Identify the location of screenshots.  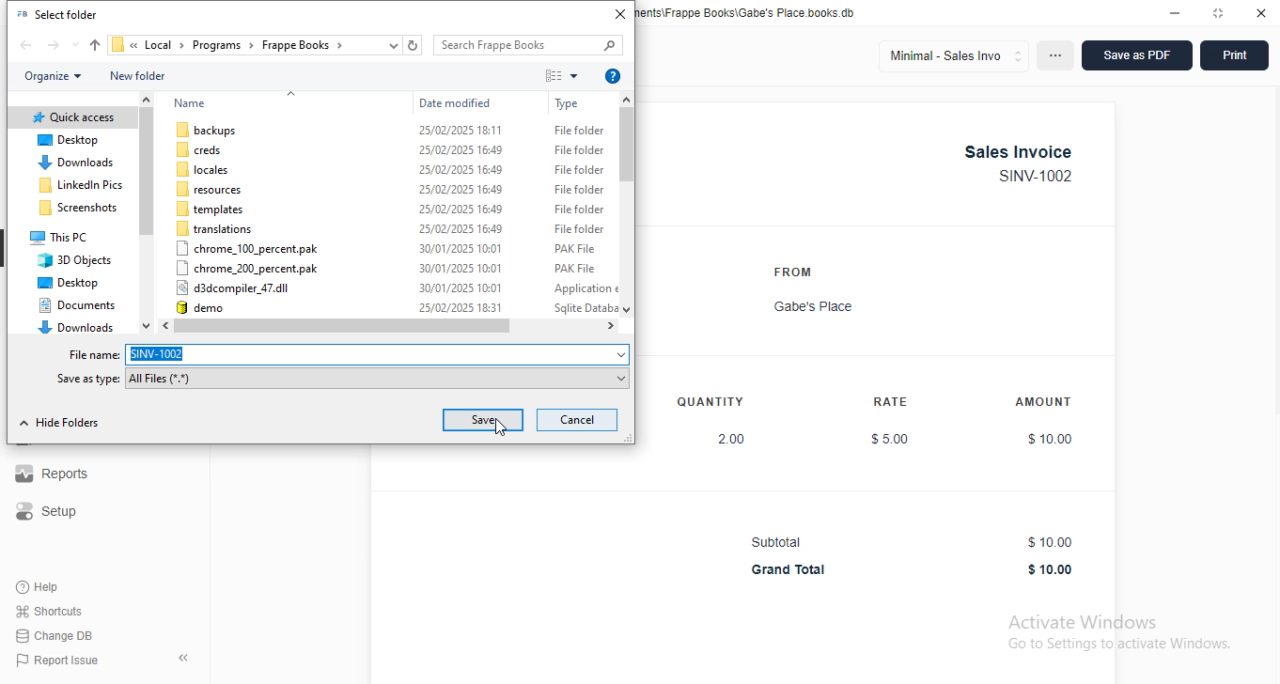
(79, 207).